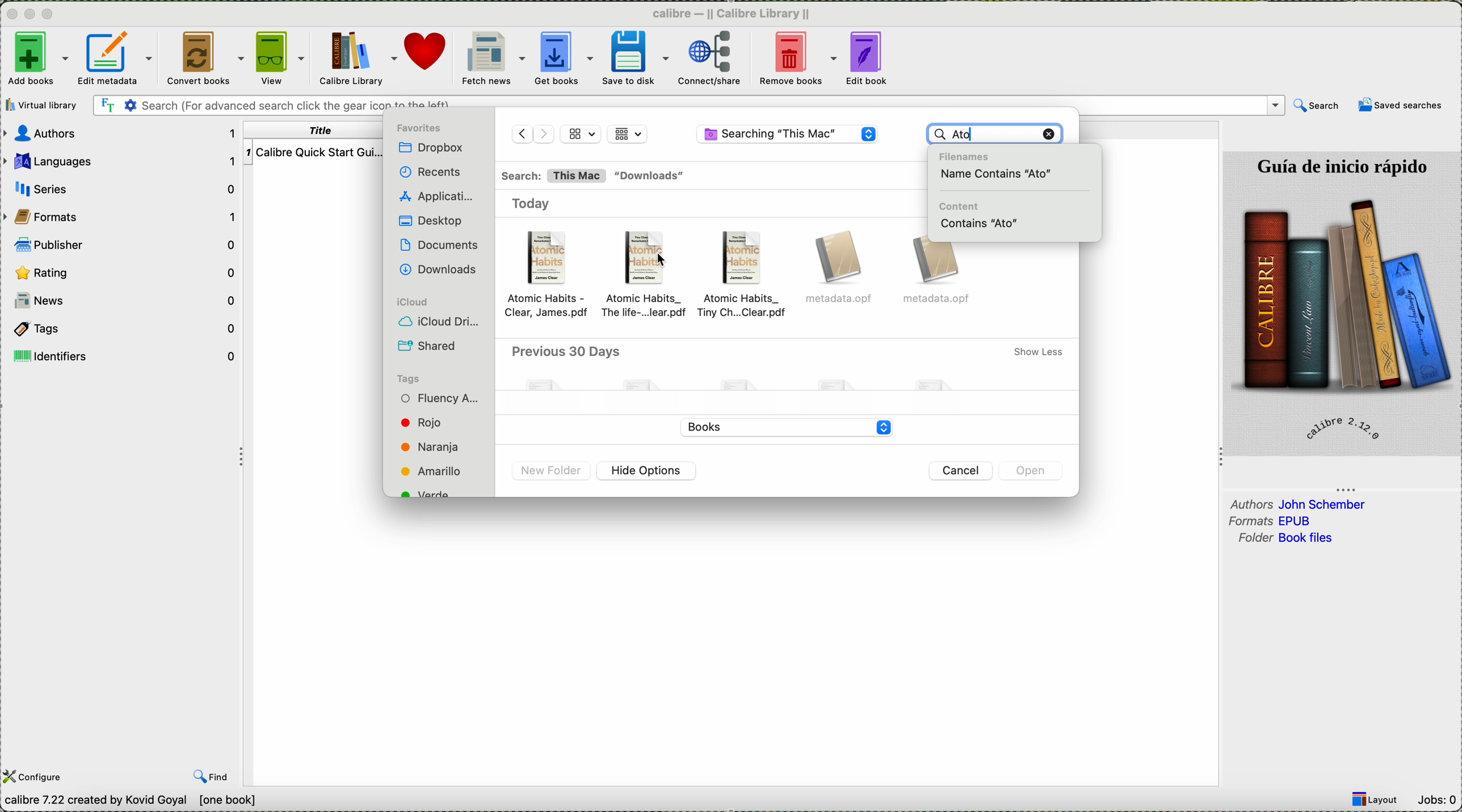 The image size is (1462, 812). Describe the element at coordinates (36, 60) in the screenshot. I see `click on add books` at that location.